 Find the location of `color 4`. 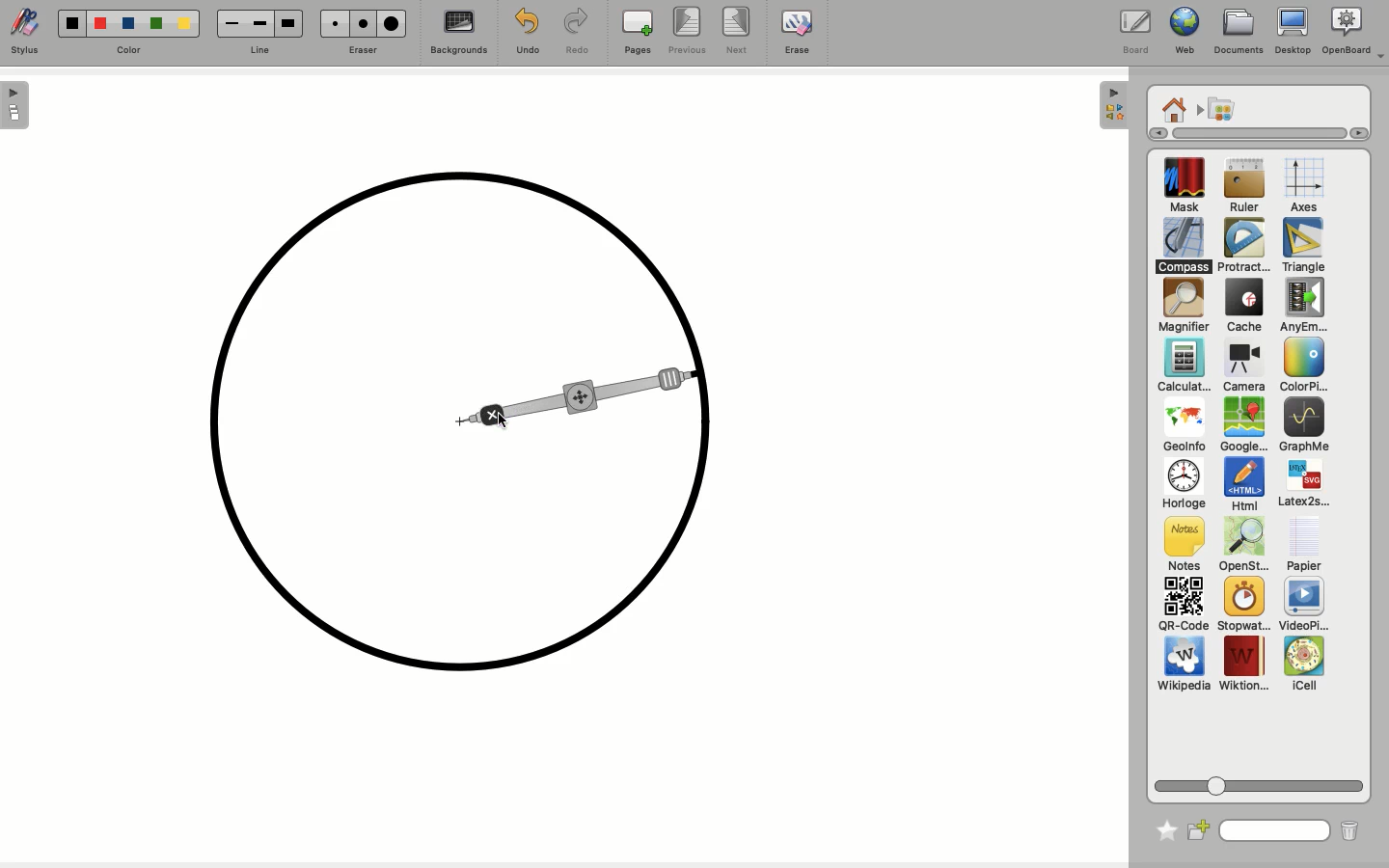

color 4 is located at coordinates (155, 25).